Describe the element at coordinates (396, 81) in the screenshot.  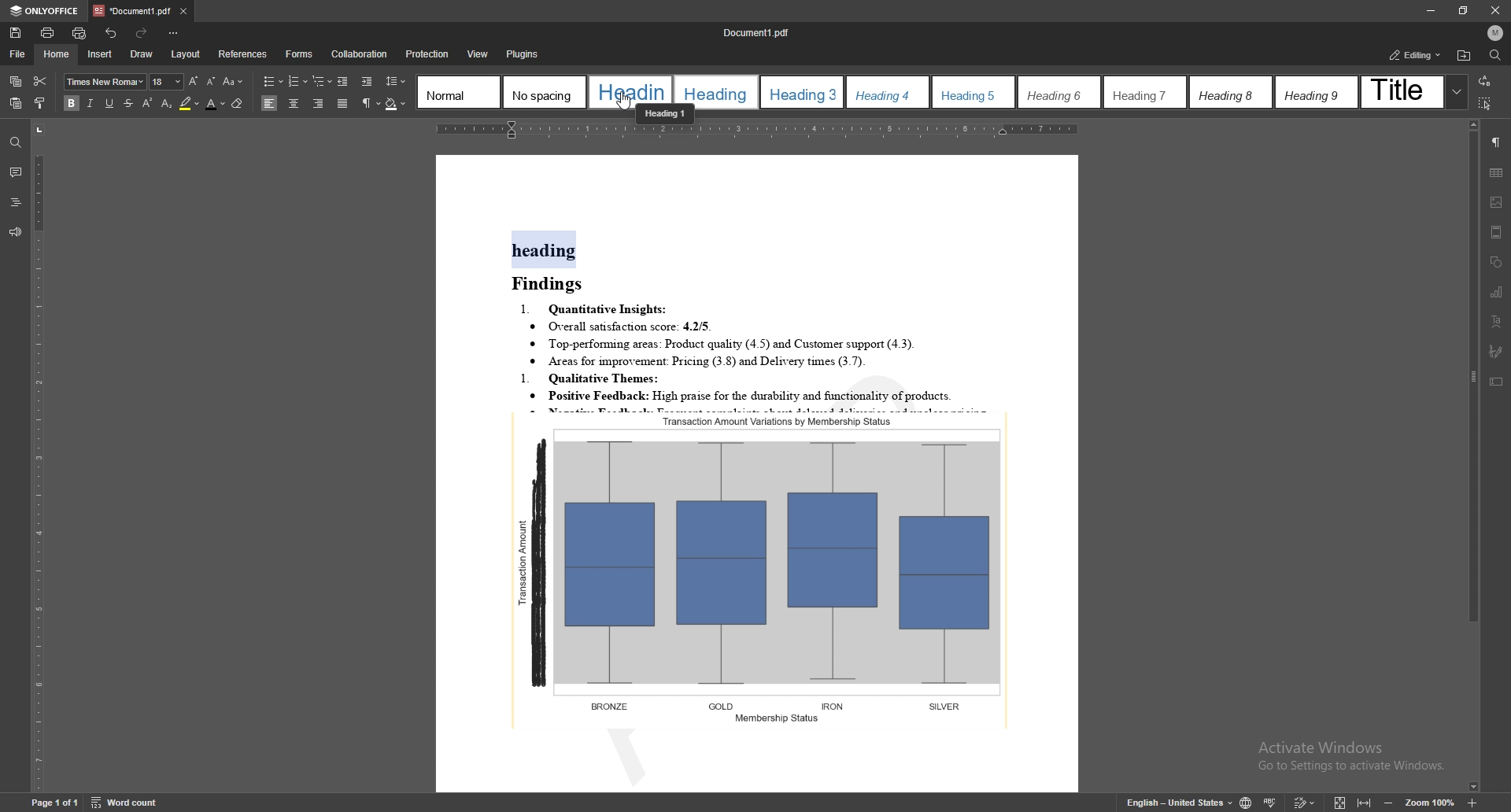
I see `line spacing` at that location.